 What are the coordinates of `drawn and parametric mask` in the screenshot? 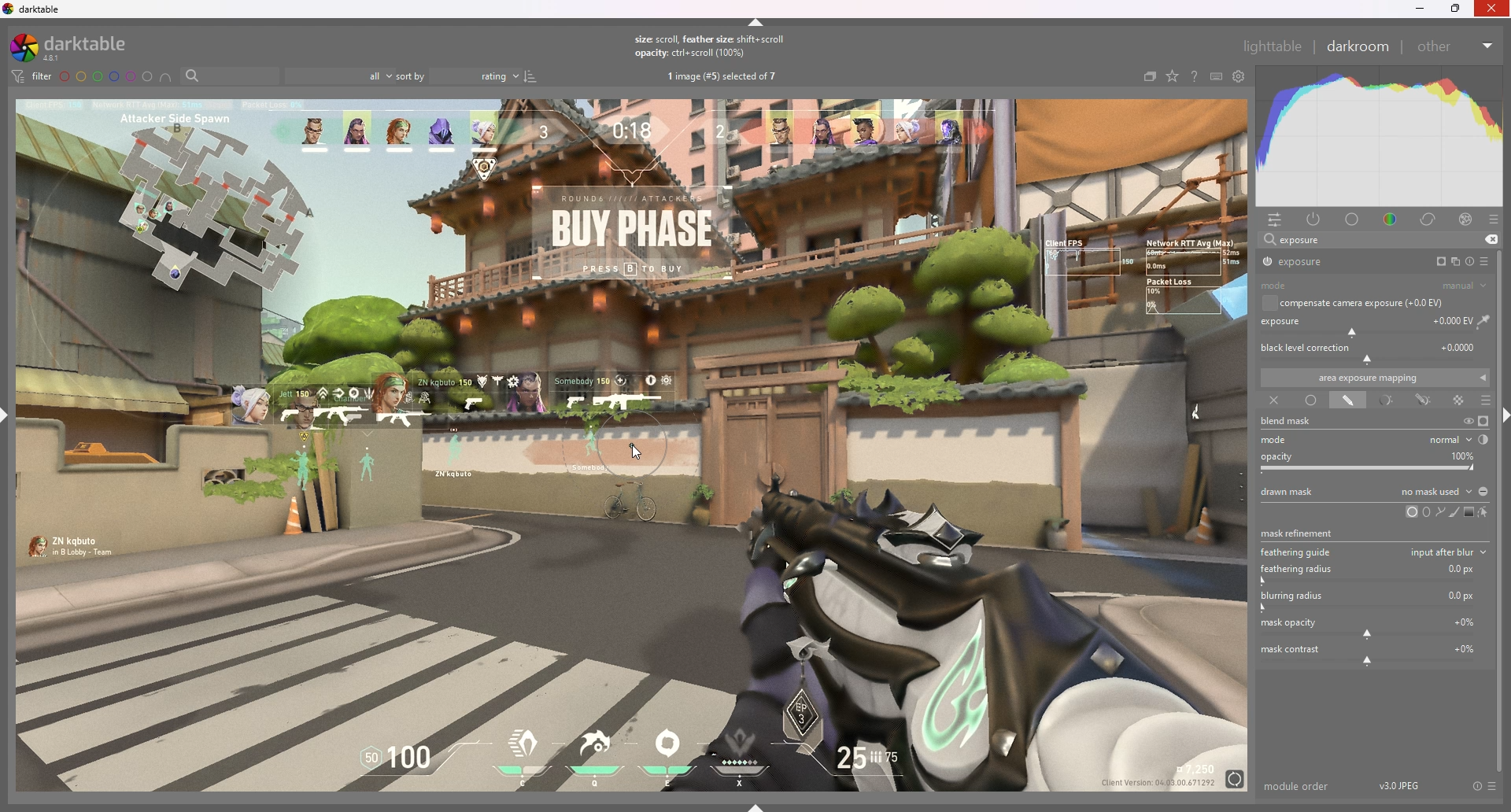 It's located at (1426, 400).